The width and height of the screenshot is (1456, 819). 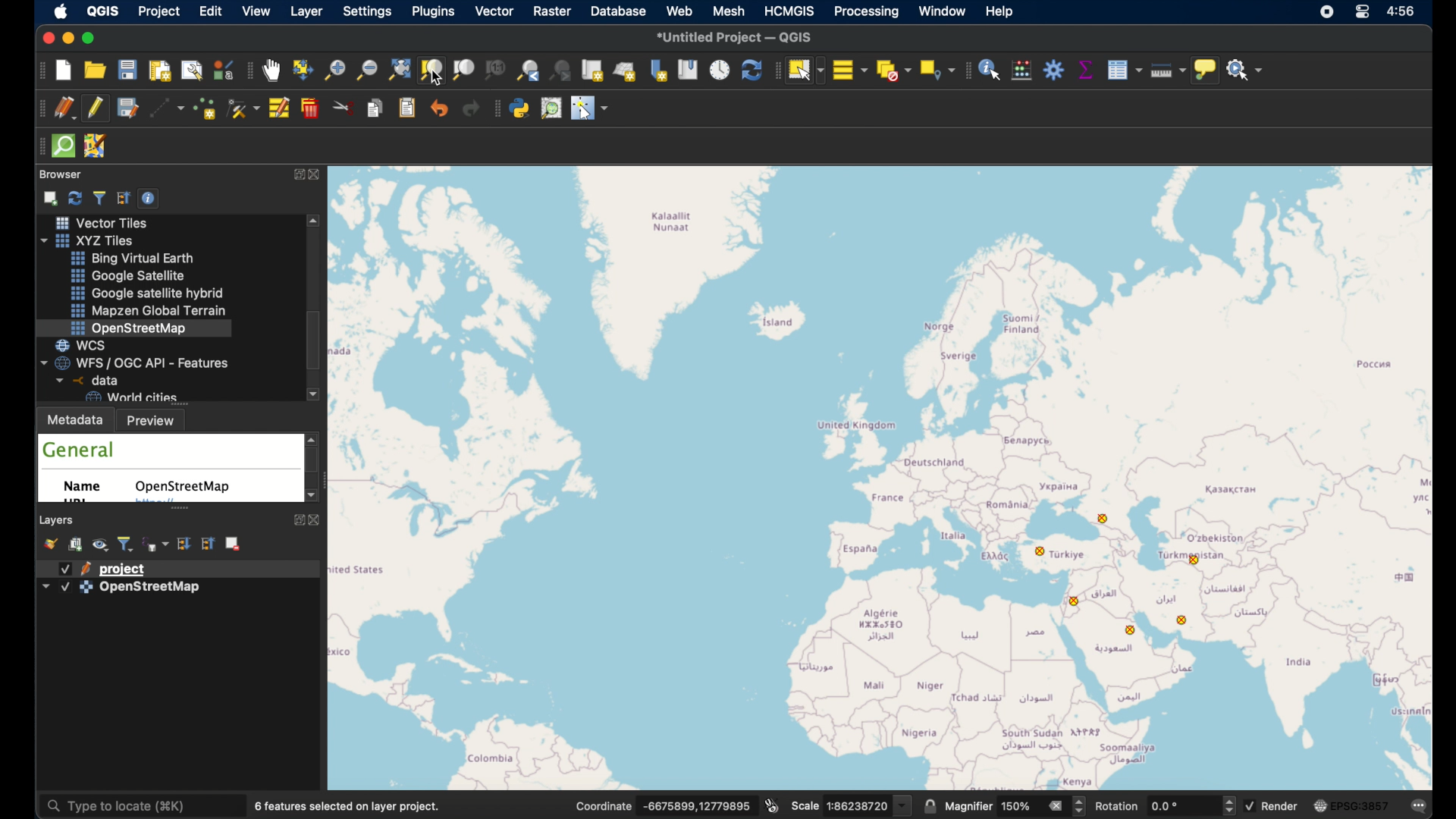 What do you see at coordinates (680, 11) in the screenshot?
I see `web` at bounding box center [680, 11].